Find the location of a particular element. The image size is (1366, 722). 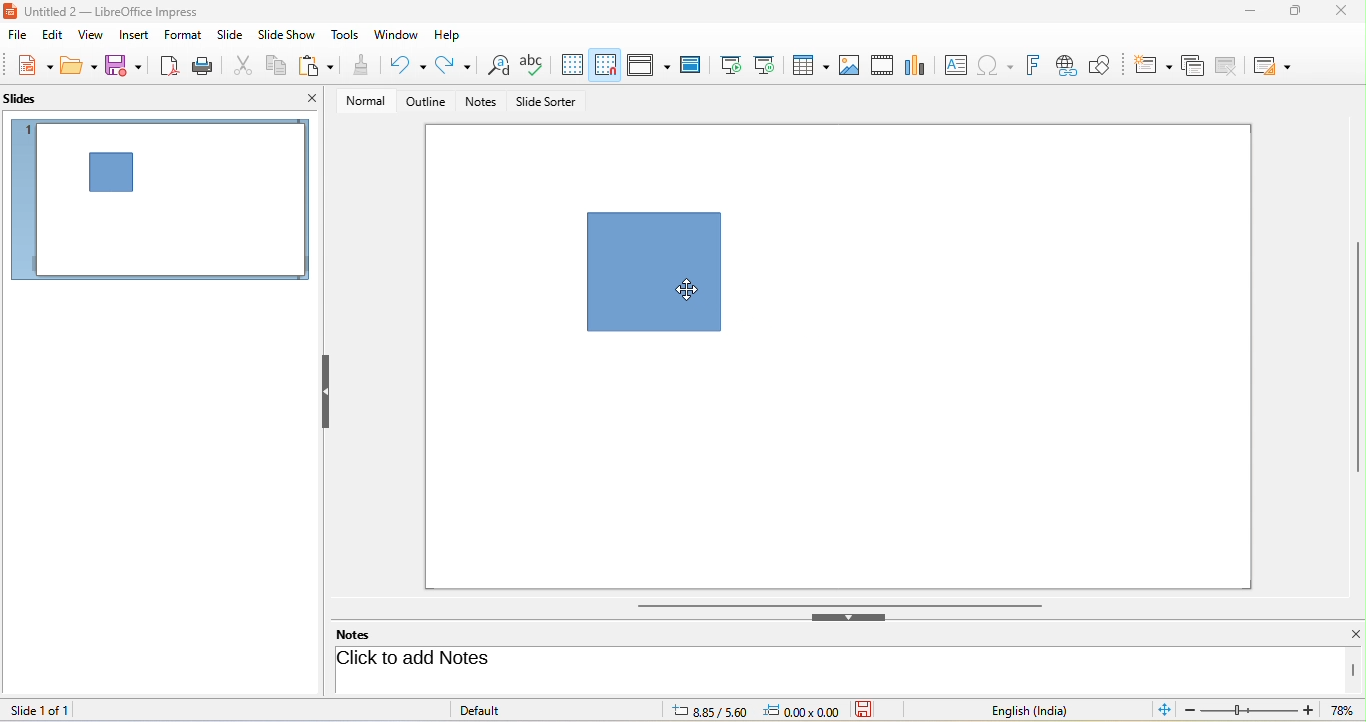

table is located at coordinates (812, 67).